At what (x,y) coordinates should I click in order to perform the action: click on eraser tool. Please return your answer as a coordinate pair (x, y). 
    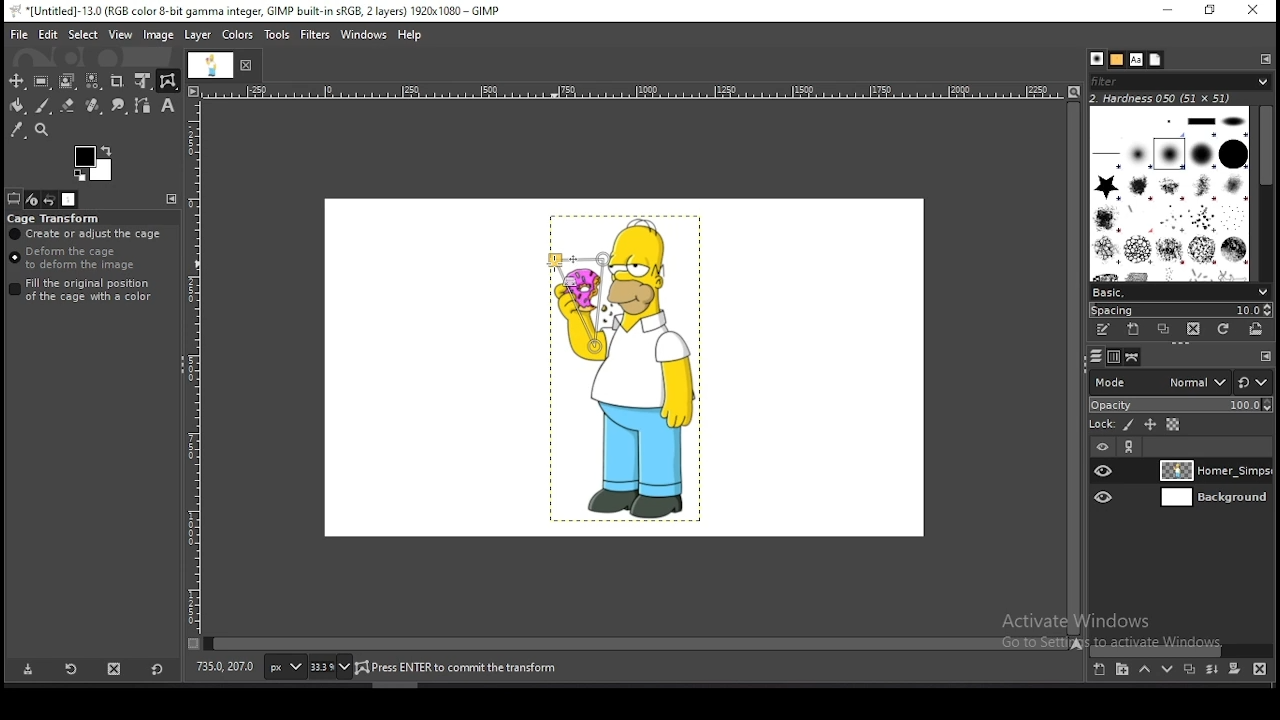
    Looking at the image, I should click on (68, 106).